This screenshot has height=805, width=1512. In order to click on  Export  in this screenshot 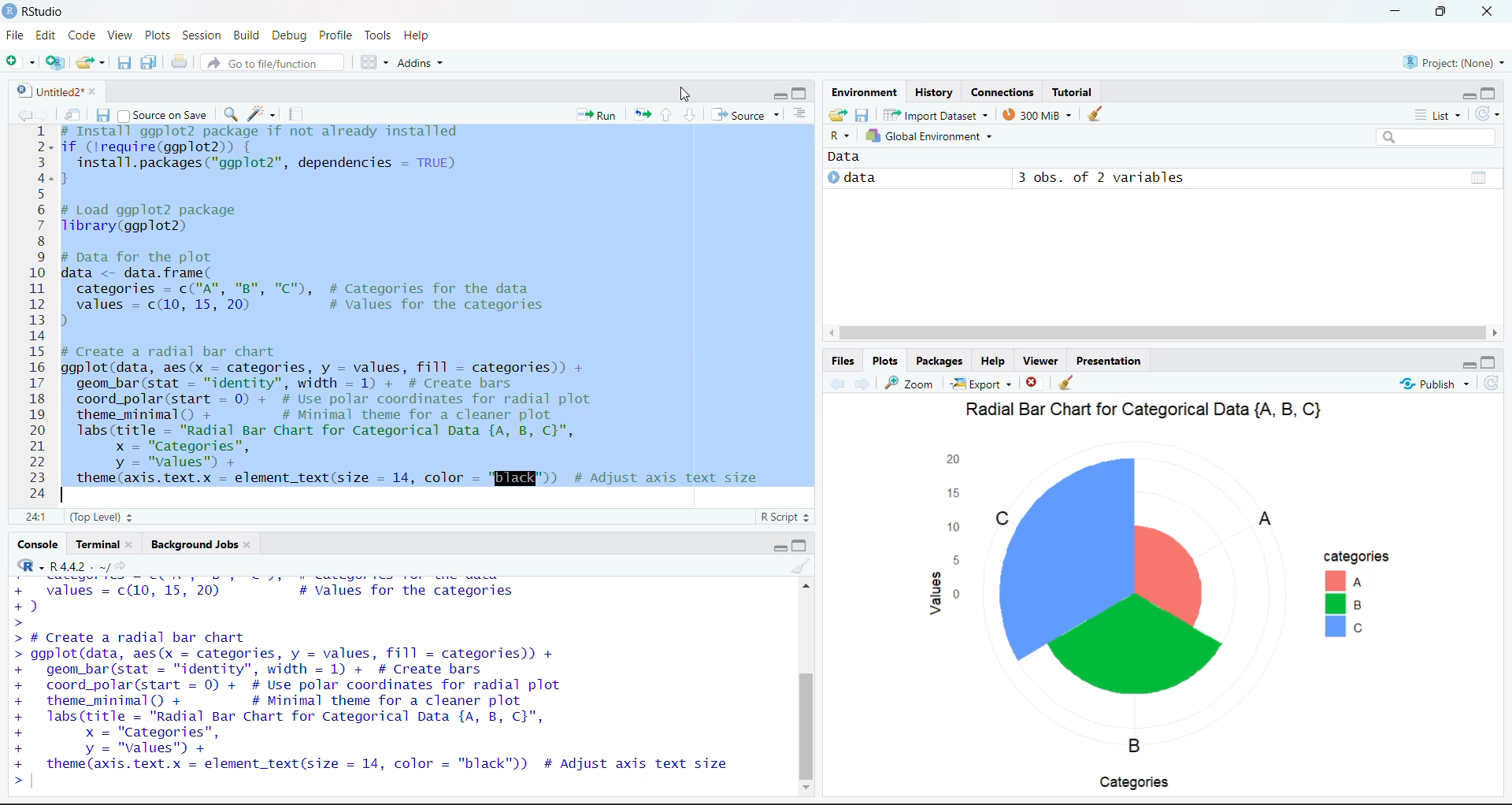, I will do `click(980, 382)`.